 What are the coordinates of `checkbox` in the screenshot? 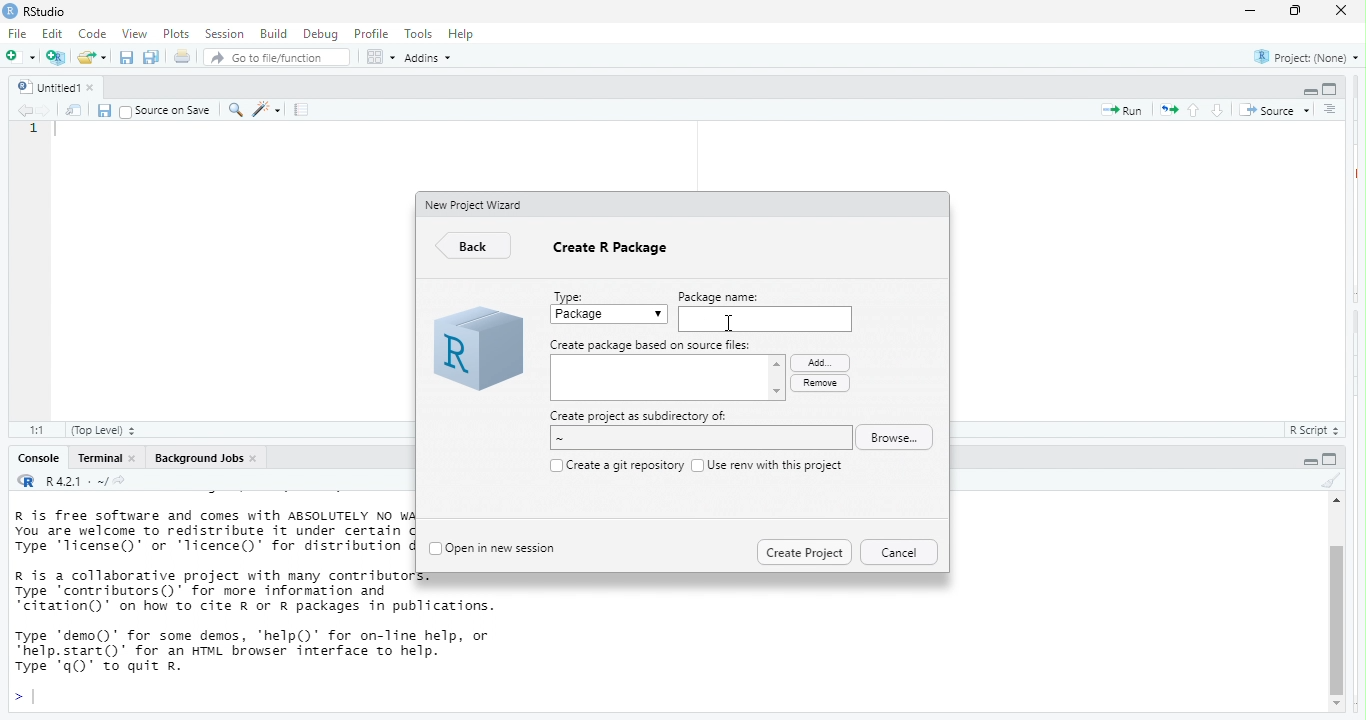 It's located at (553, 465).